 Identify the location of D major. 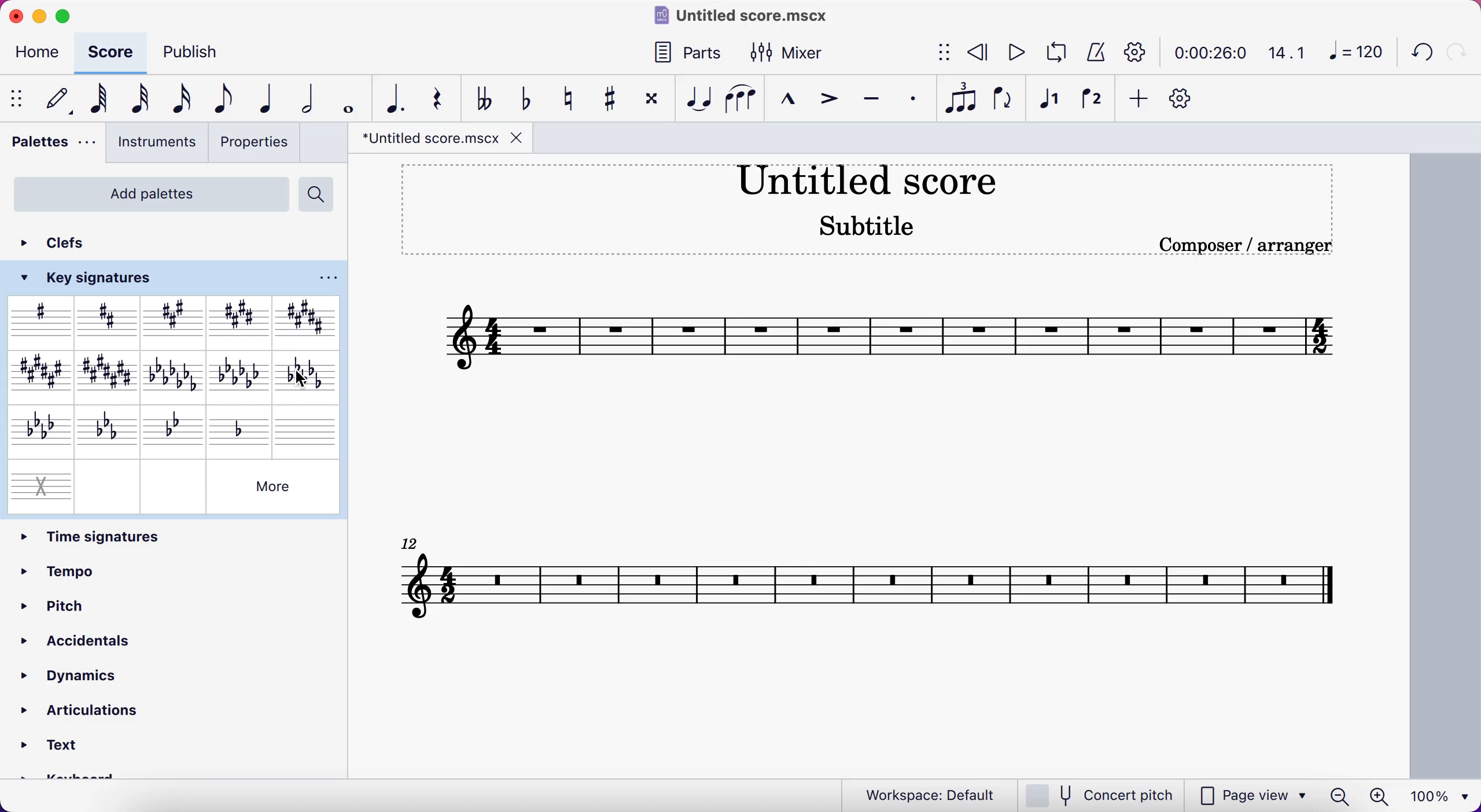
(107, 320).